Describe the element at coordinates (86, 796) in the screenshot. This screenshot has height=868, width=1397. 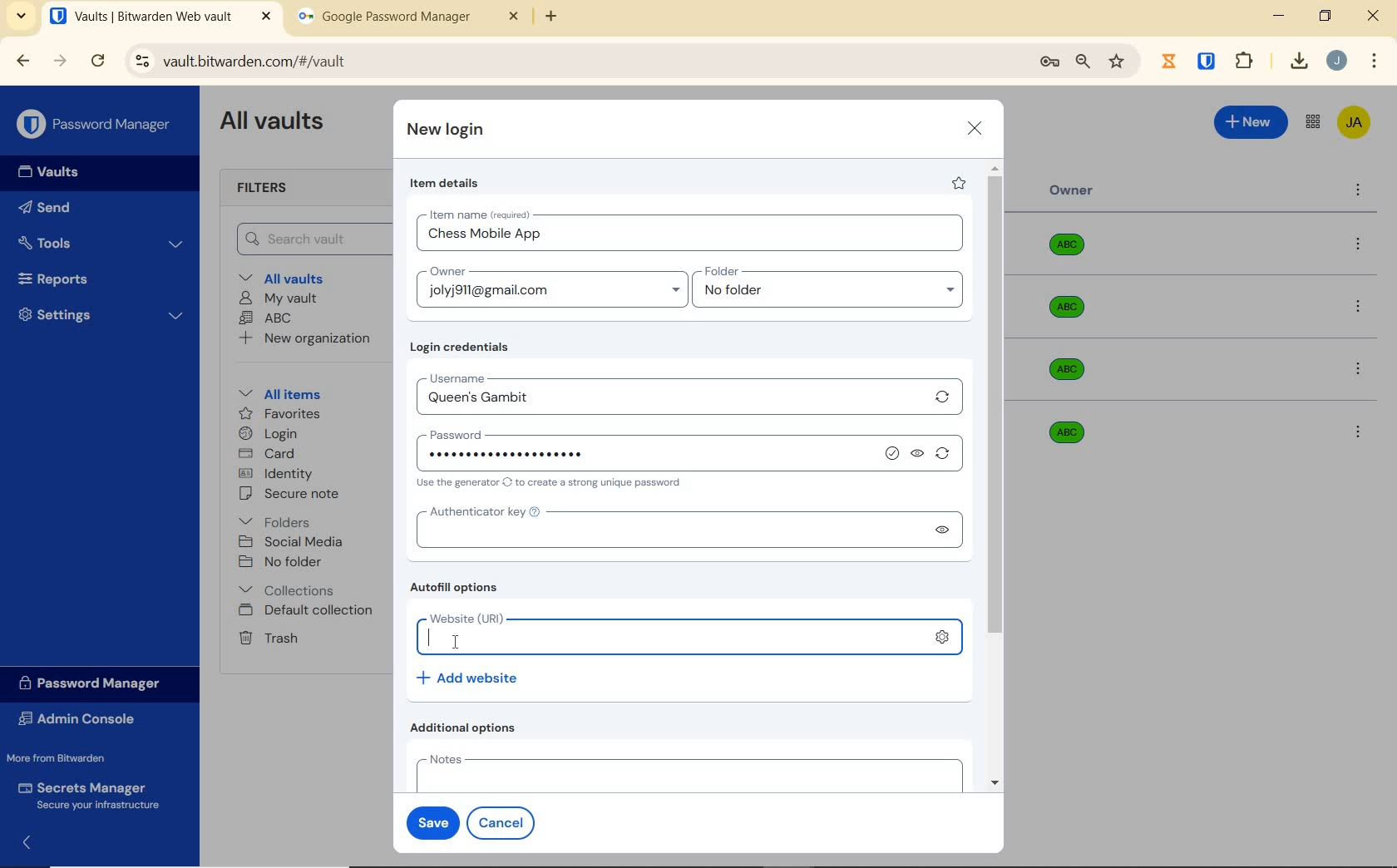
I see `Secrets Manager` at that location.